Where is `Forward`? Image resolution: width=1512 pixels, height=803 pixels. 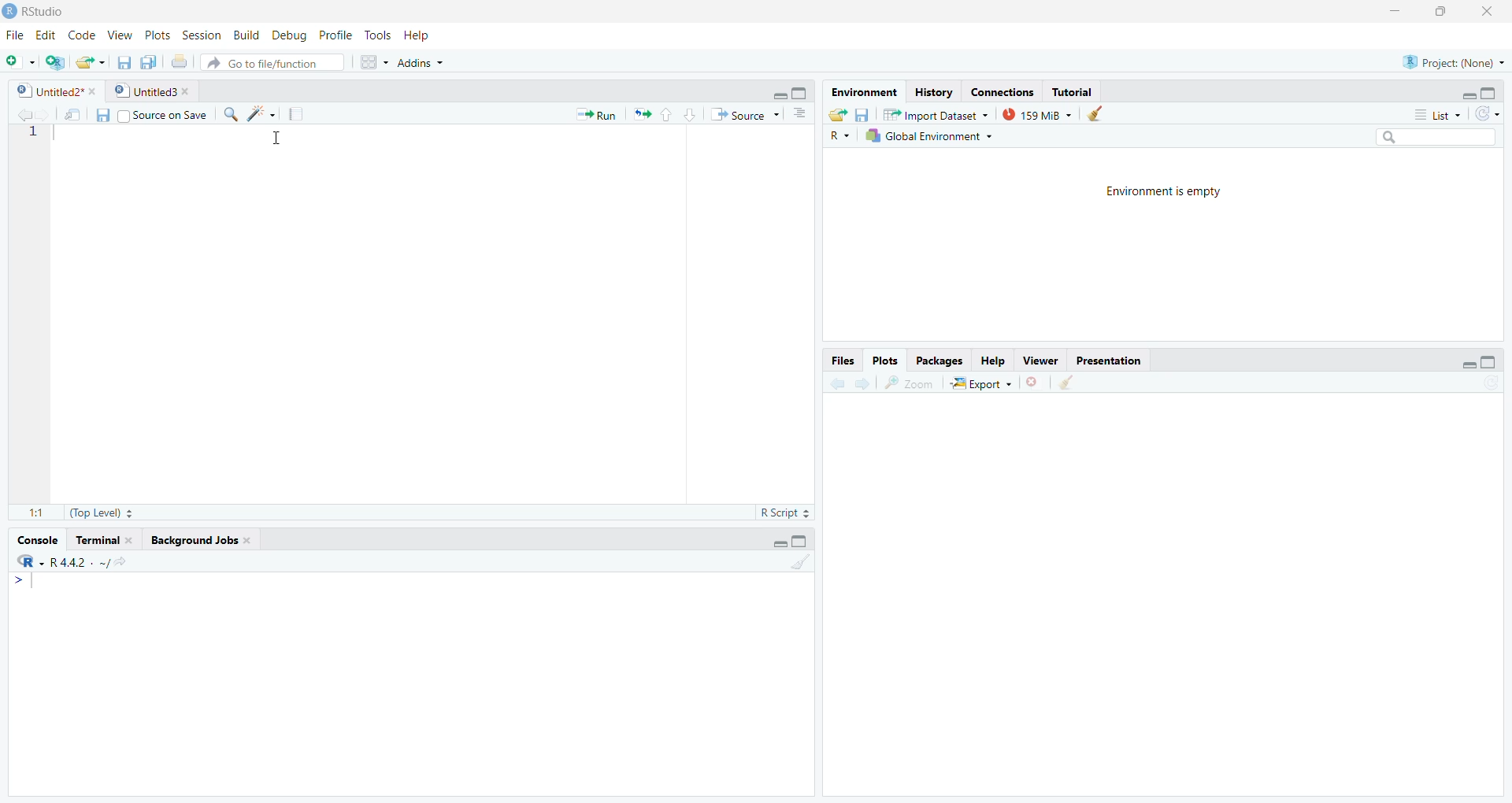 Forward is located at coordinates (42, 115).